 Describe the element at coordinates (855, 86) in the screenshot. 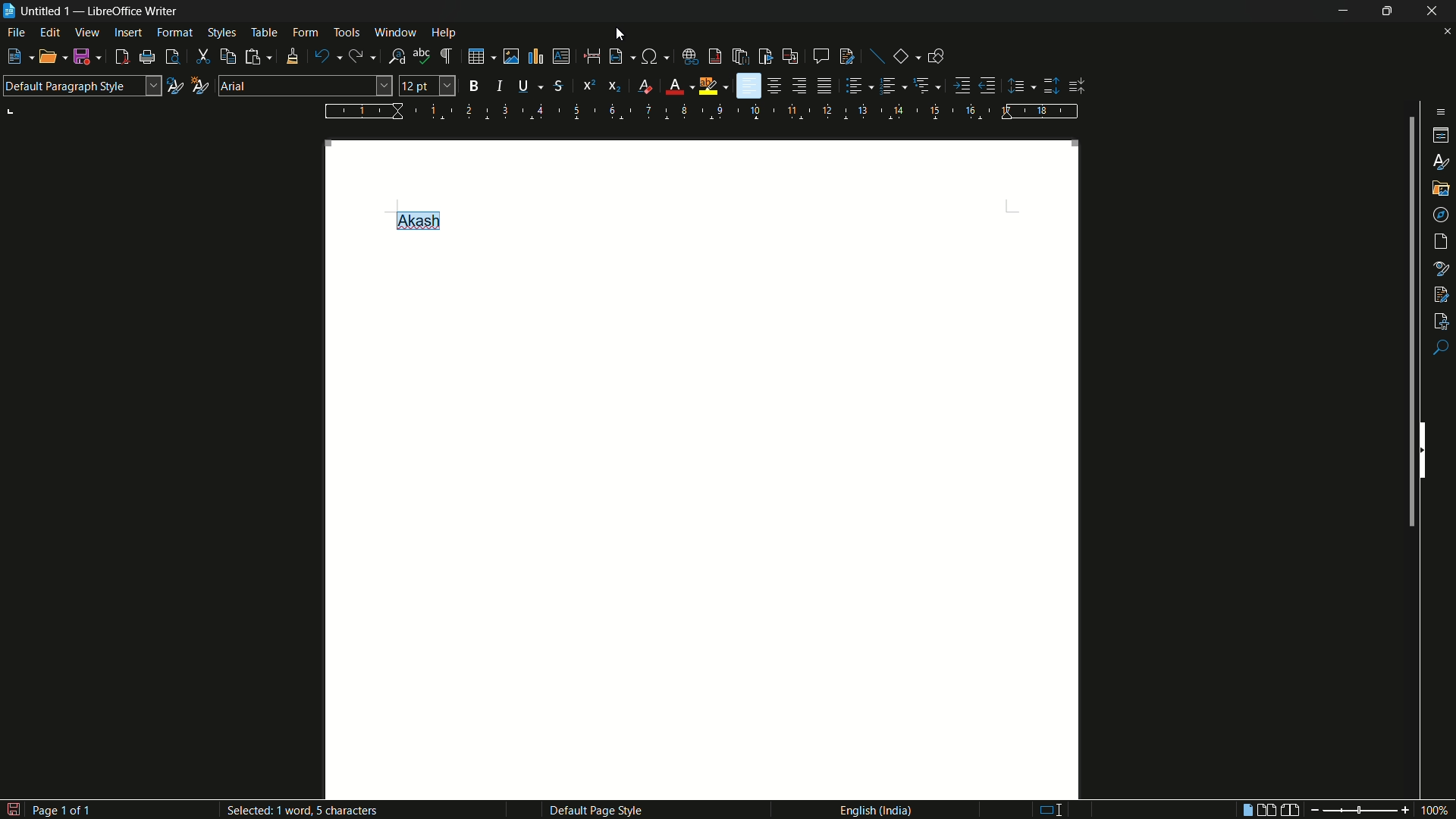

I see `bullet points` at that location.